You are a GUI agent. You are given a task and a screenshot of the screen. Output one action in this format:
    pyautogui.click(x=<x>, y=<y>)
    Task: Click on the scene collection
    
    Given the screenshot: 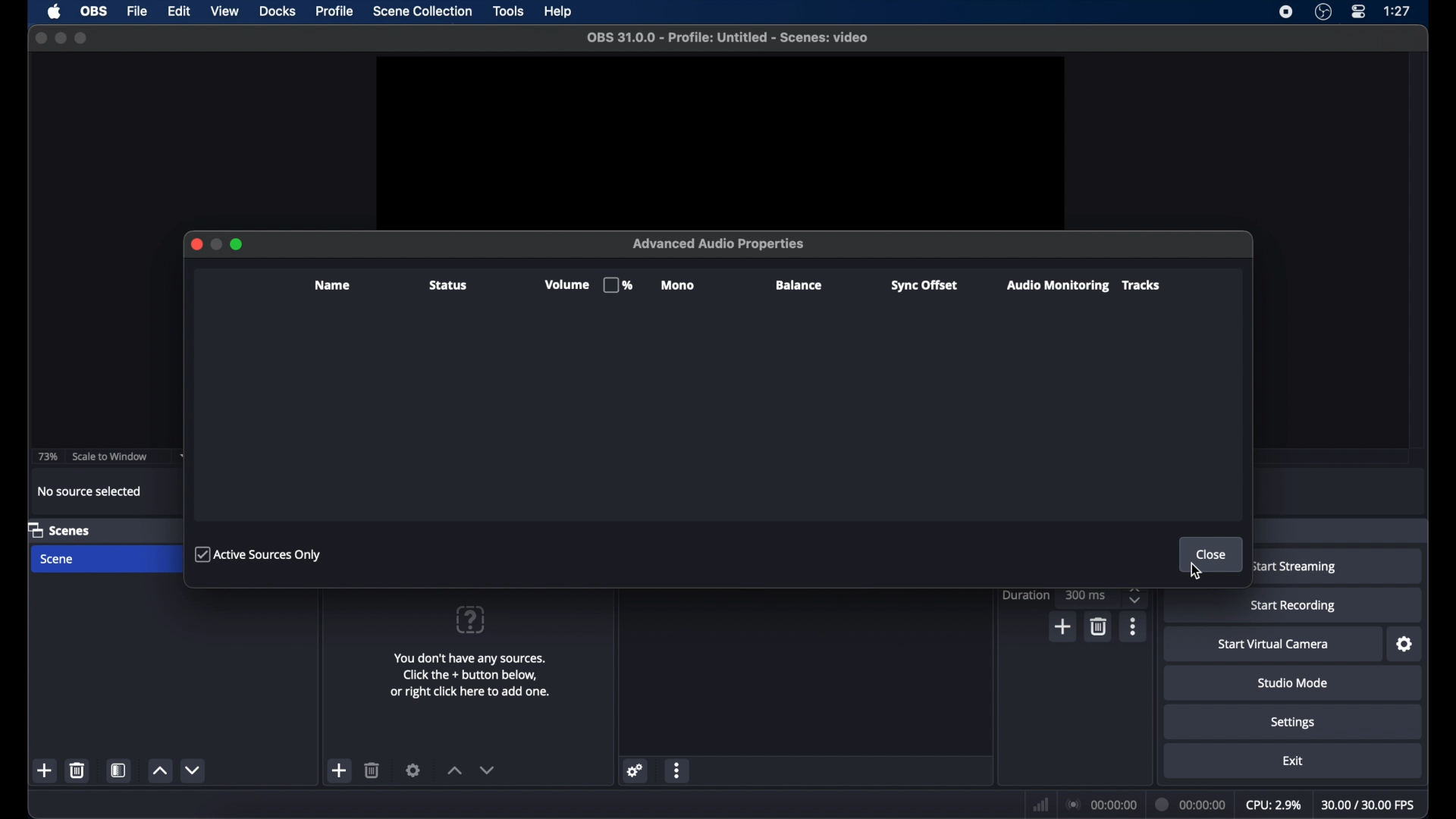 What is the action you would take?
    pyautogui.click(x=423, y=11)
    